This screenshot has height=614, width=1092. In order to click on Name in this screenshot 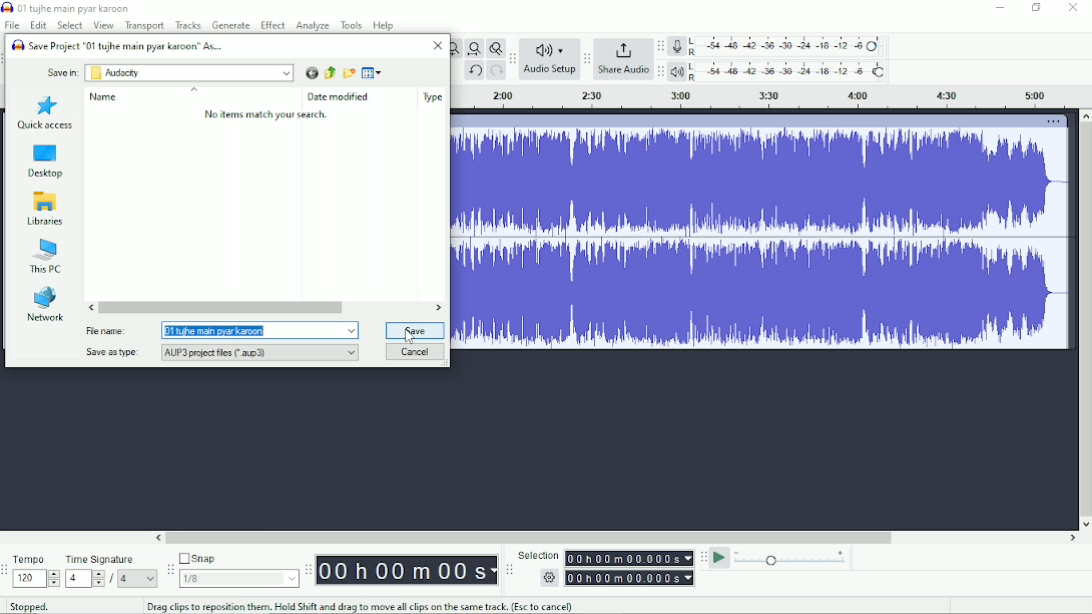, I will do `click(106, 97)`.